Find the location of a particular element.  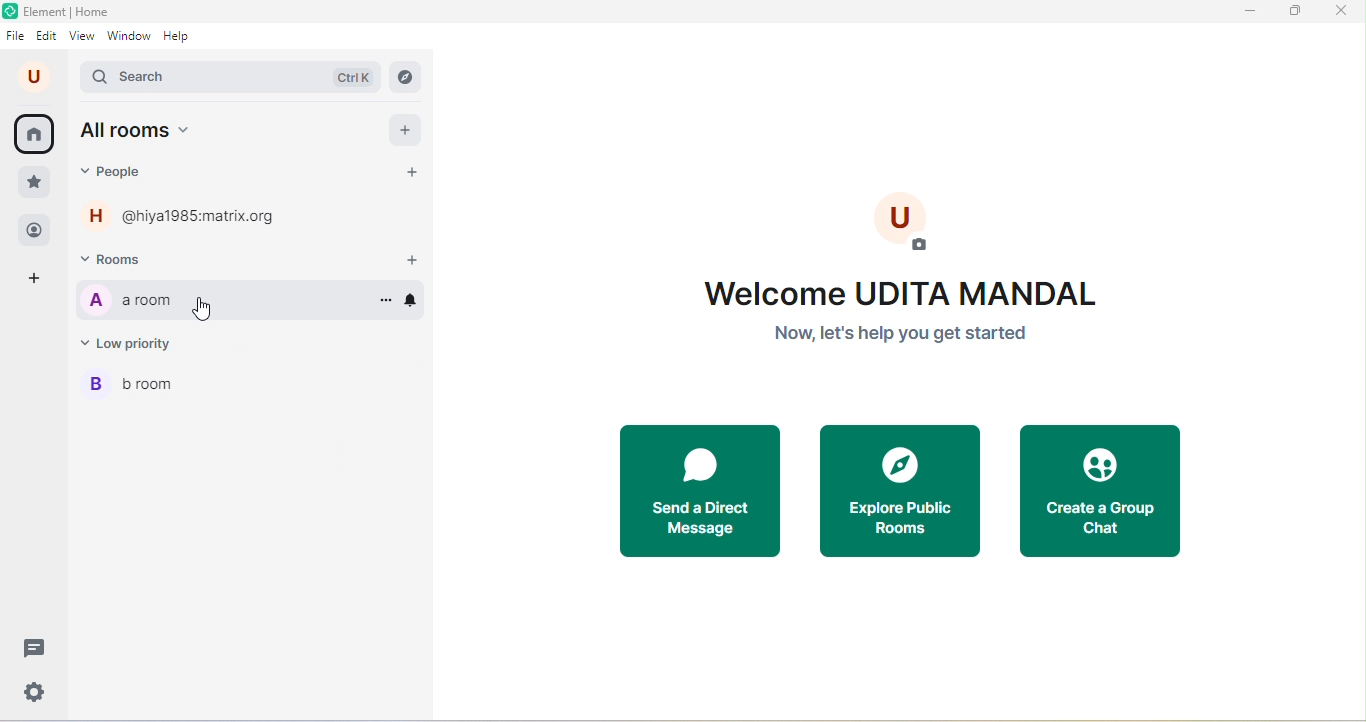

Element | Home is located at coordinates (72, 11).